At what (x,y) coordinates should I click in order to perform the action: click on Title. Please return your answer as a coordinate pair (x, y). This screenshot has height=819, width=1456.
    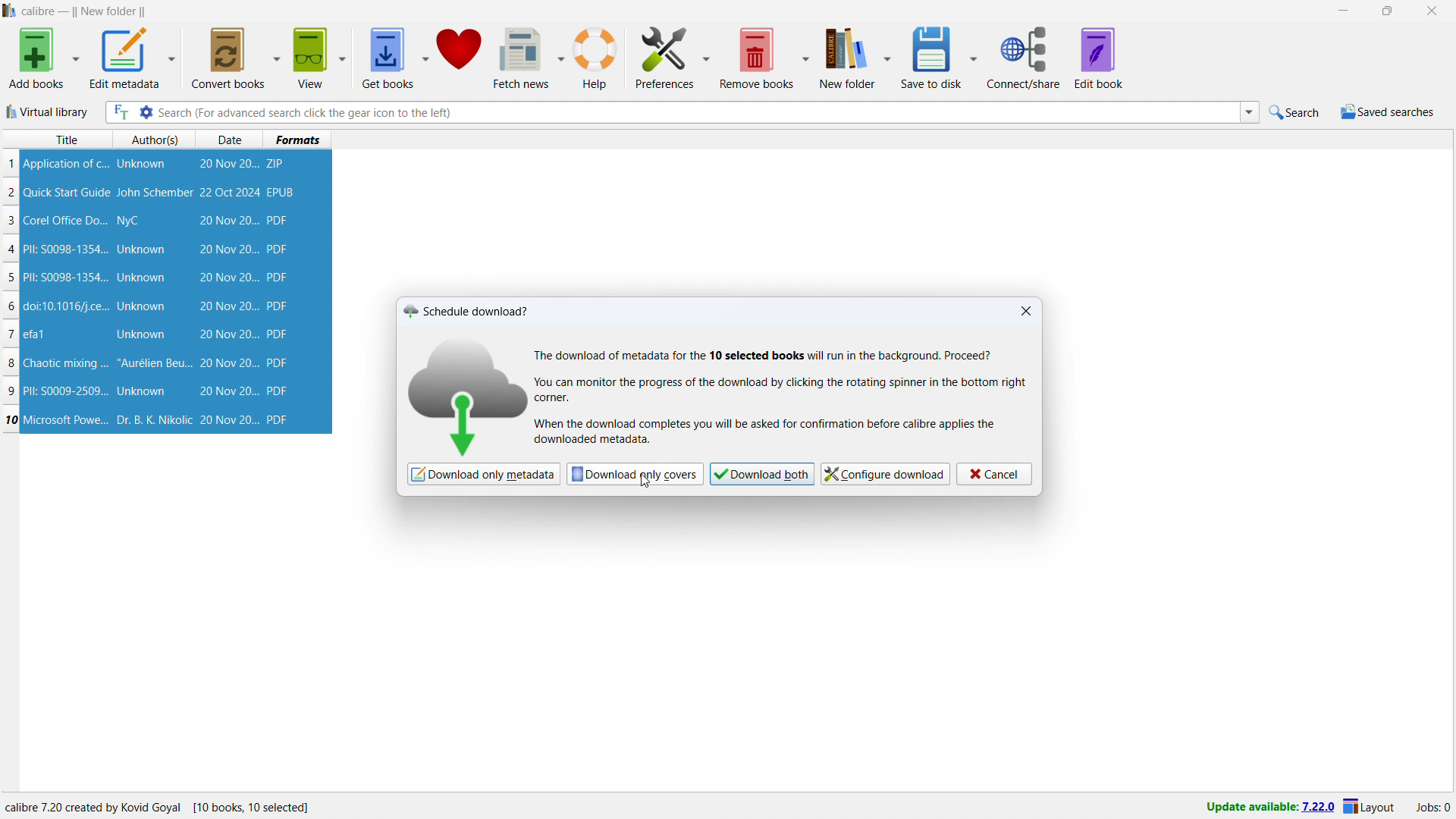
    Looking at the image, I should click on (67, 140).